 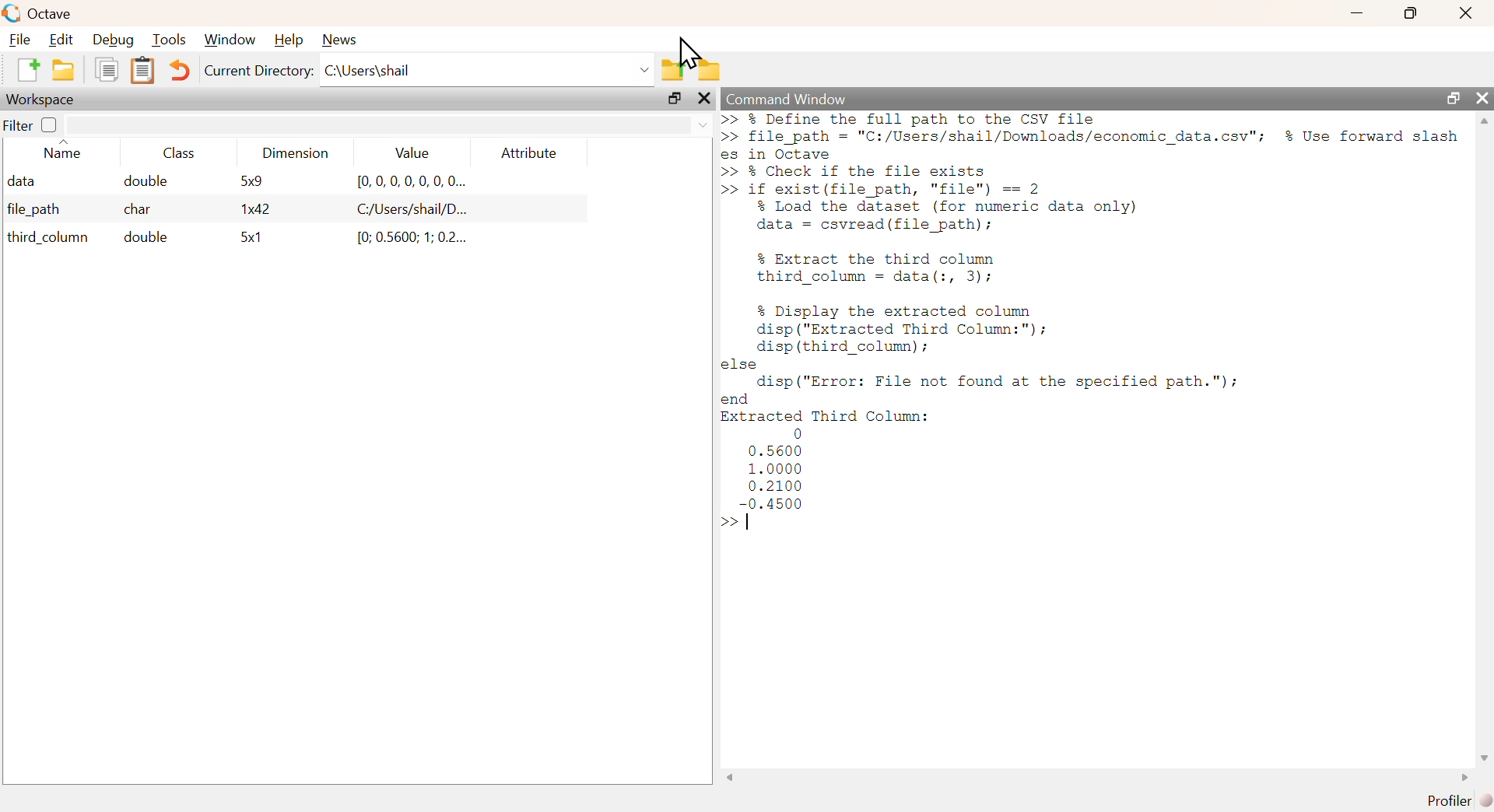 What do you see at coordinates (697, 54) in the screenshot?
I see `cursor` at bounding box center [697, 54].